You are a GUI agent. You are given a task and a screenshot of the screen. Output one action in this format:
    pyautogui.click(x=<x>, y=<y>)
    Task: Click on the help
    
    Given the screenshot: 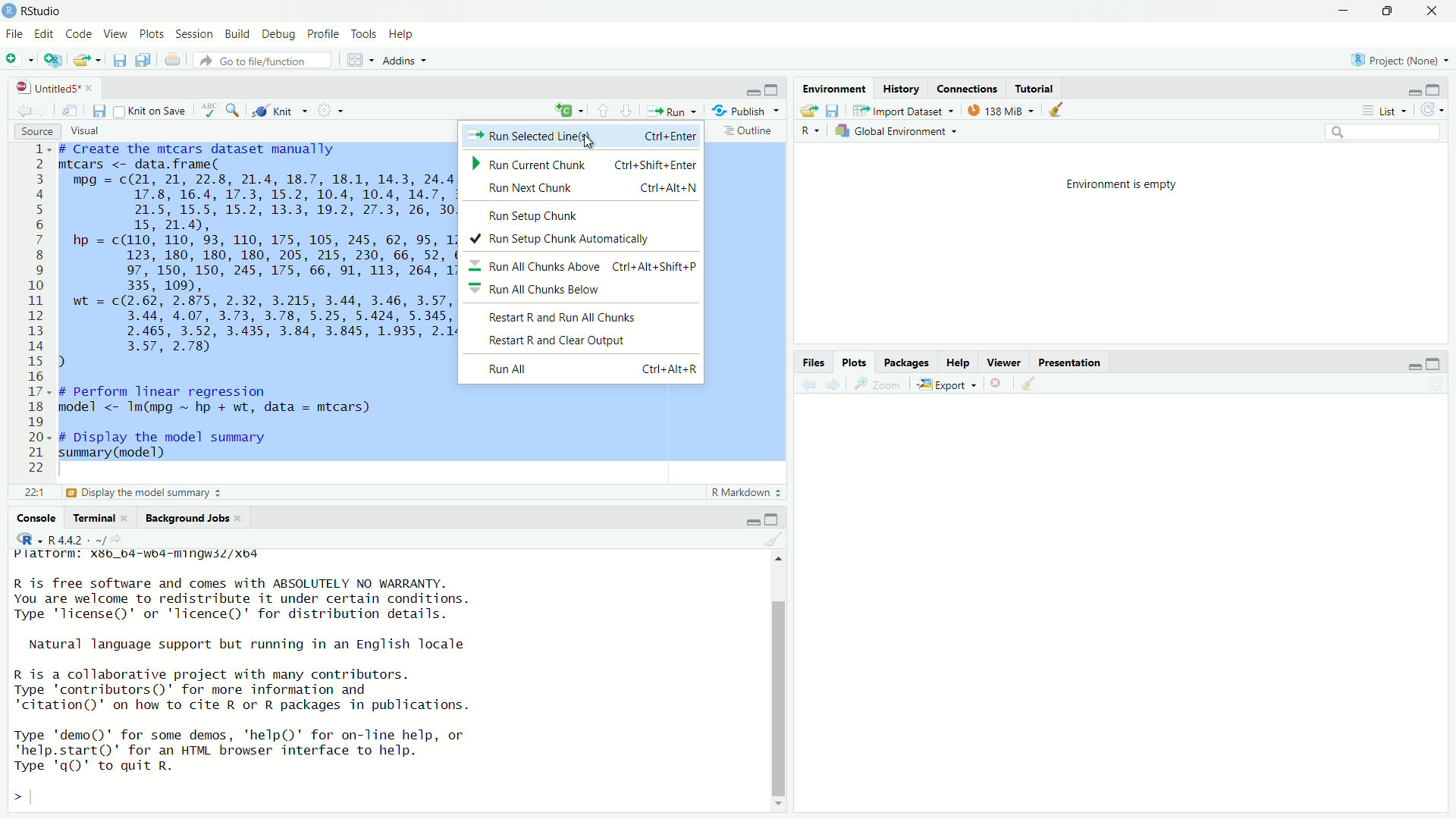 What is the action you would take?
    pyautogui.click(x=403, y=35)
    